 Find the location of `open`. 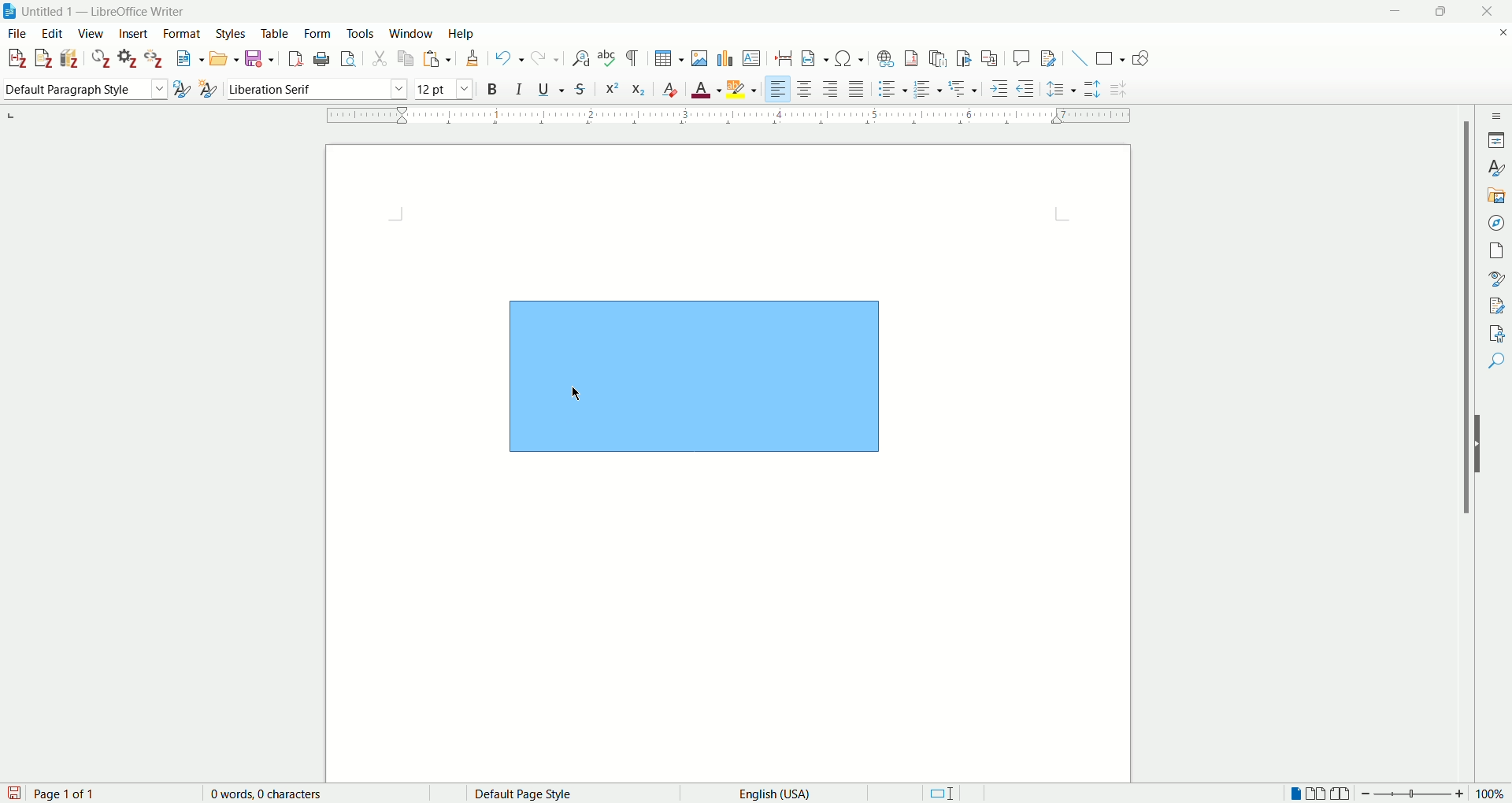

open is located at coordinates (223, 60).